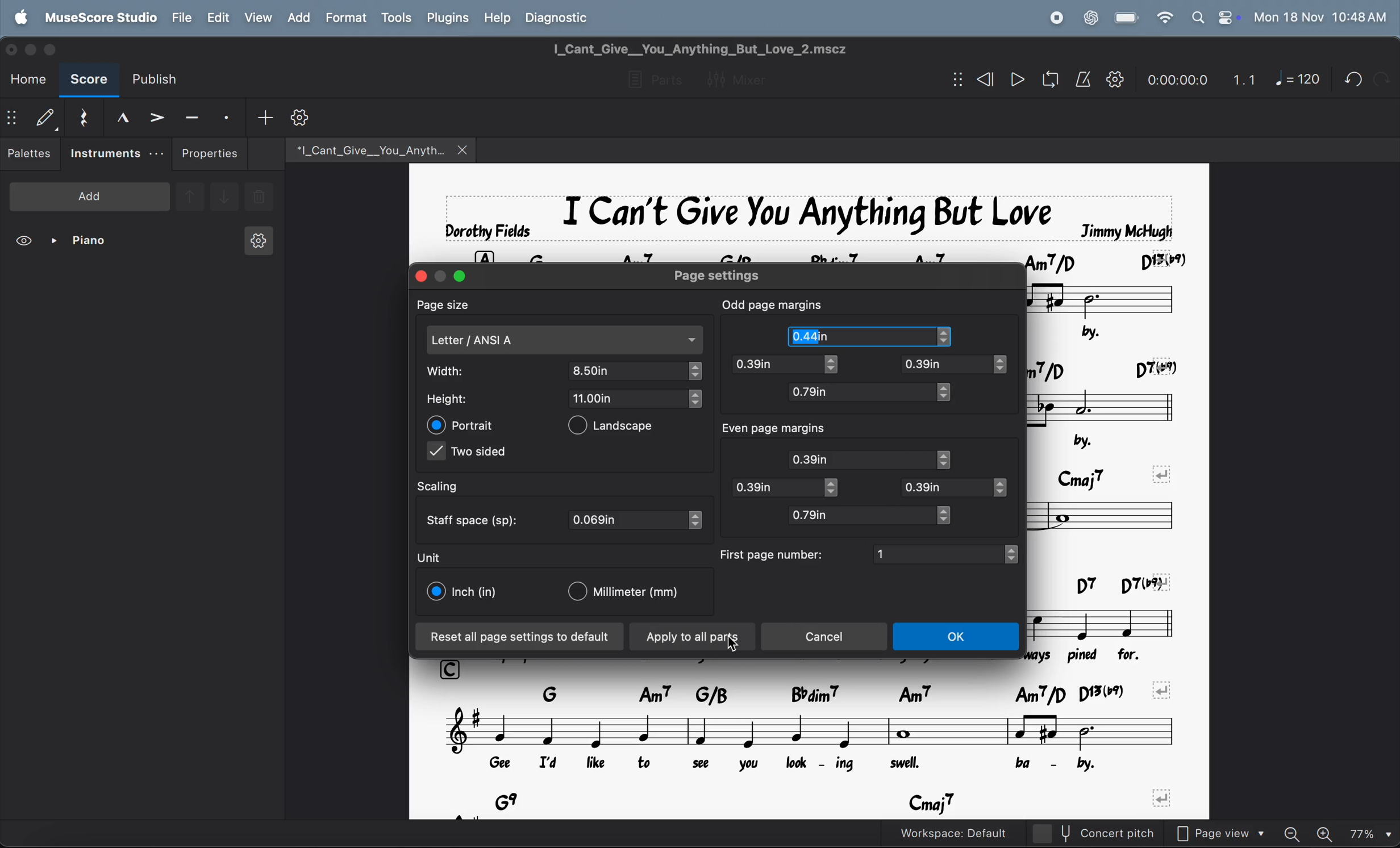 The width and height of the screenshot is (1400, 848). What do you see at coordinates (217, 18) in the screenshot?
I see `edit ` at bounding box center [217, 18].